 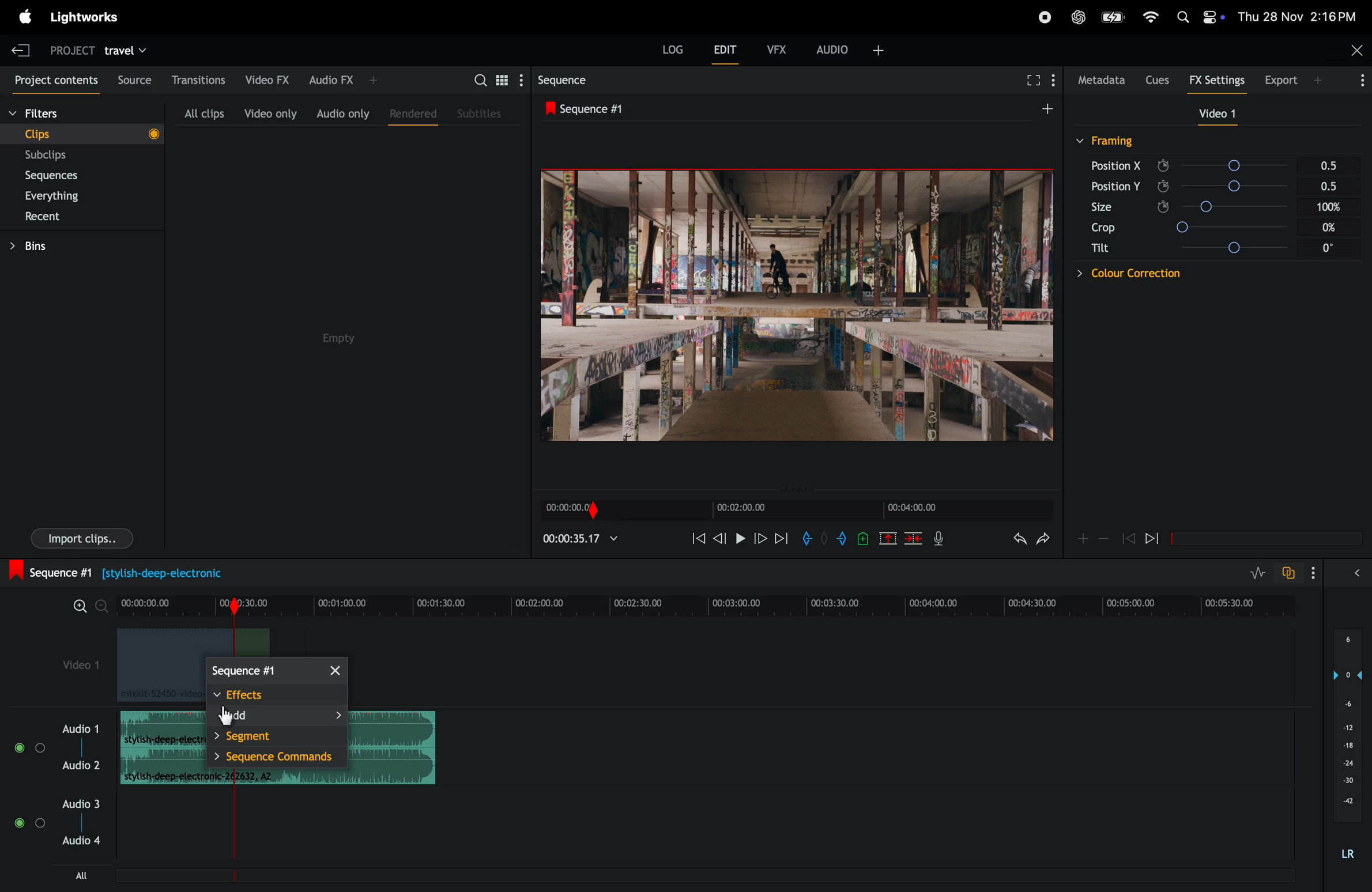 I want to click on size, so click(x=1111, y=207).